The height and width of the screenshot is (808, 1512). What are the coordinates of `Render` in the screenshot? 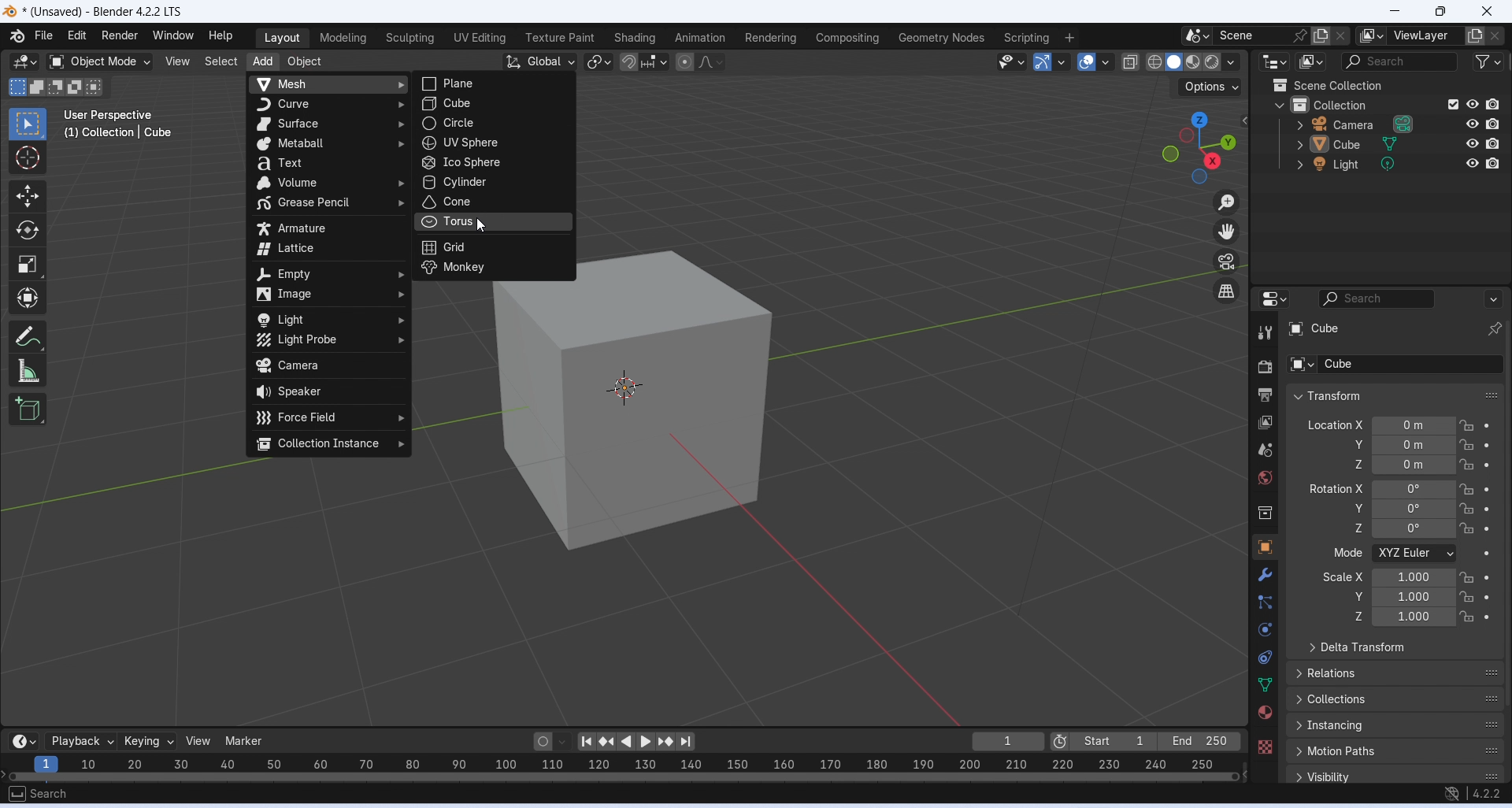 It's located at (120, 35).